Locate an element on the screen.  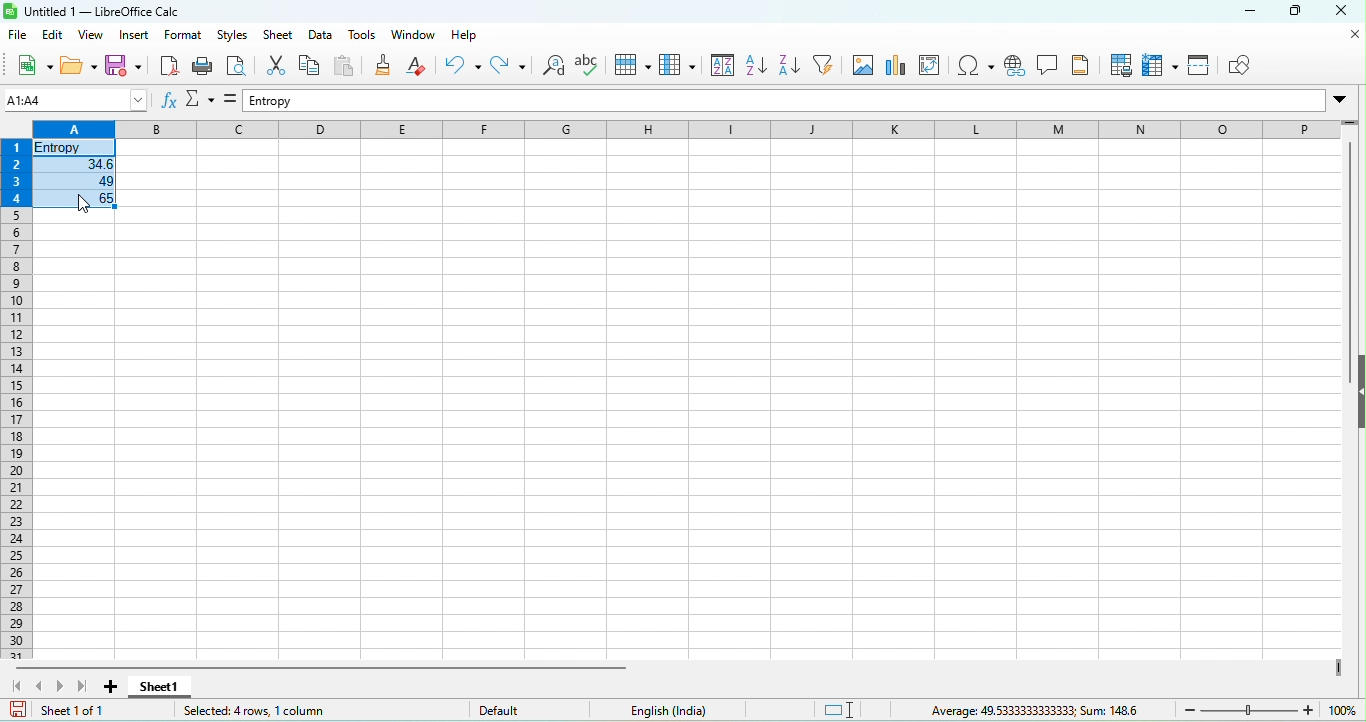
untitled 1-libre office calc is located at coordinates (102, 12).